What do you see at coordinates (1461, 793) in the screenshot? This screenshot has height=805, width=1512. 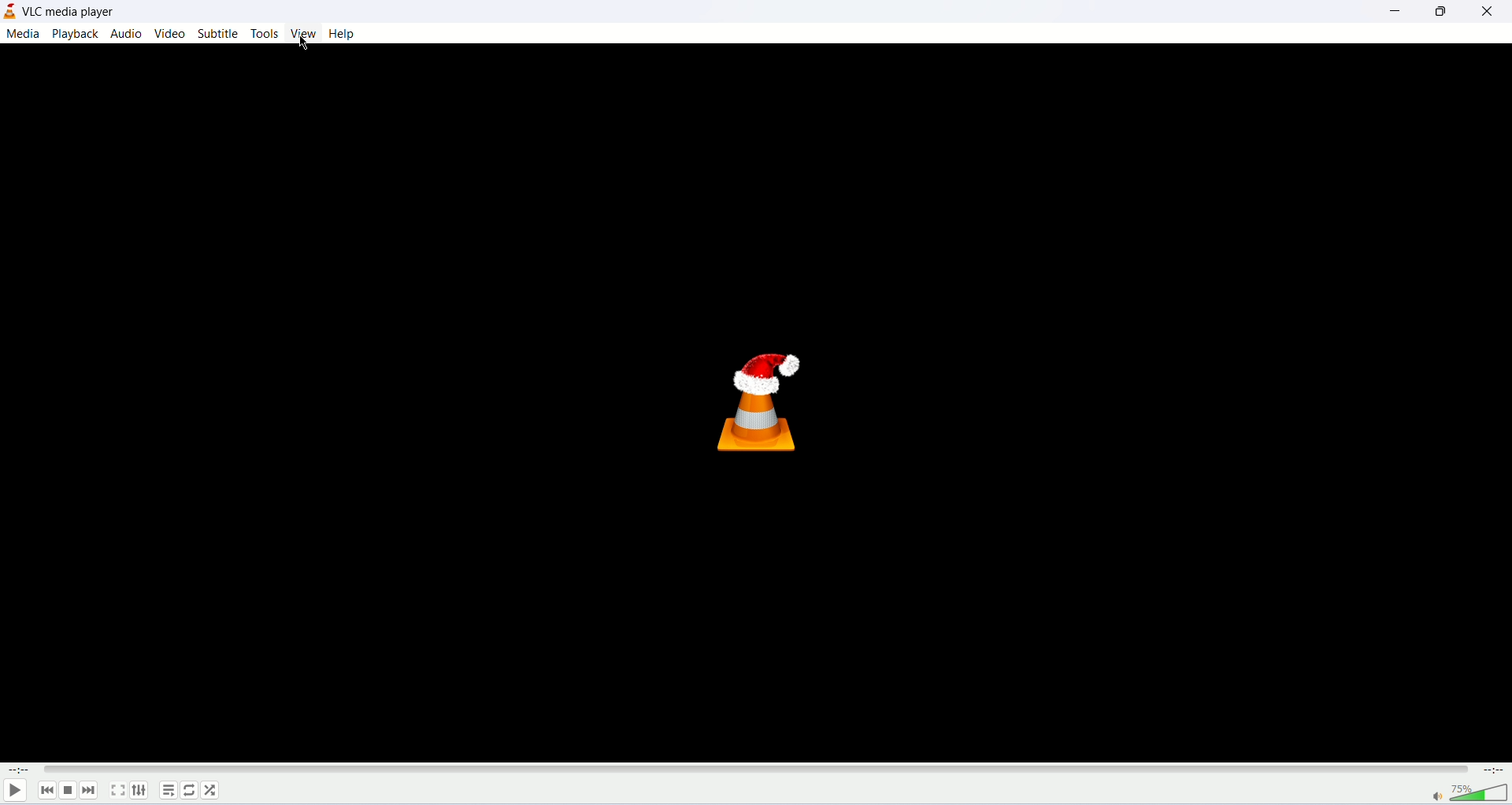 I see `volume bar` at bounding box center [1461, 793].